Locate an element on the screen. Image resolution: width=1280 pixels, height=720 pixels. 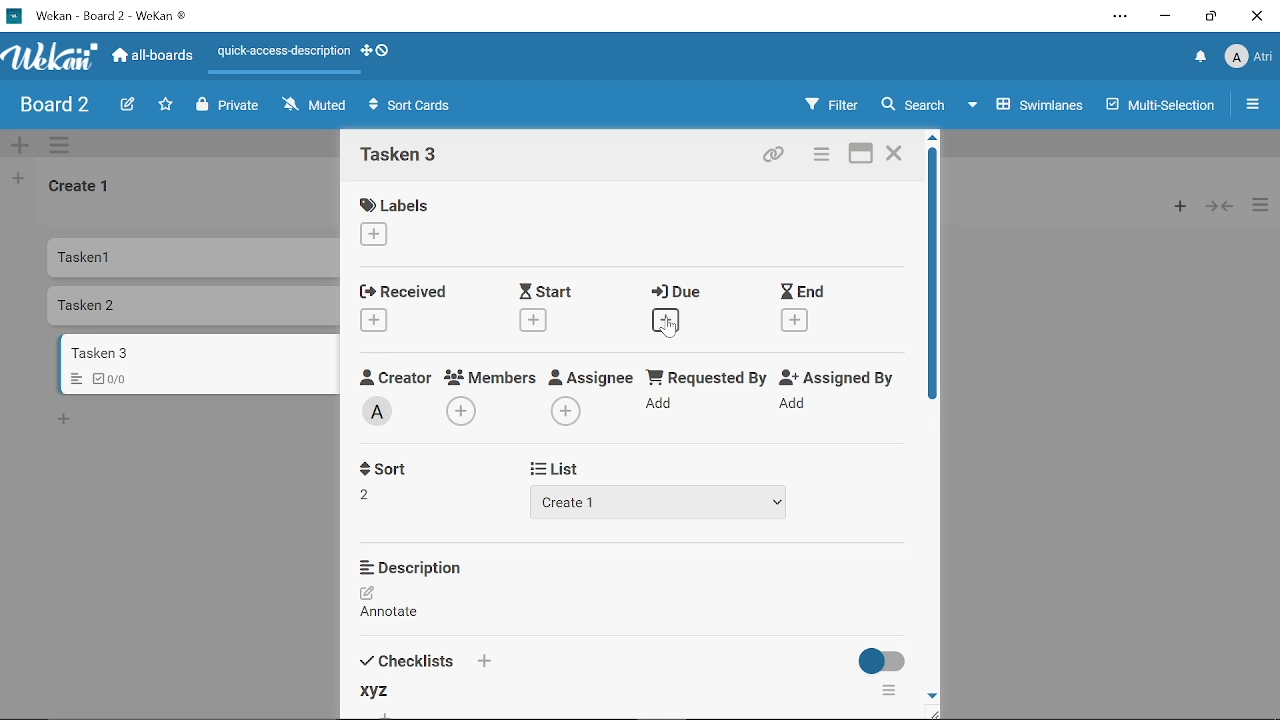
List is located at coordinates (560, 468).